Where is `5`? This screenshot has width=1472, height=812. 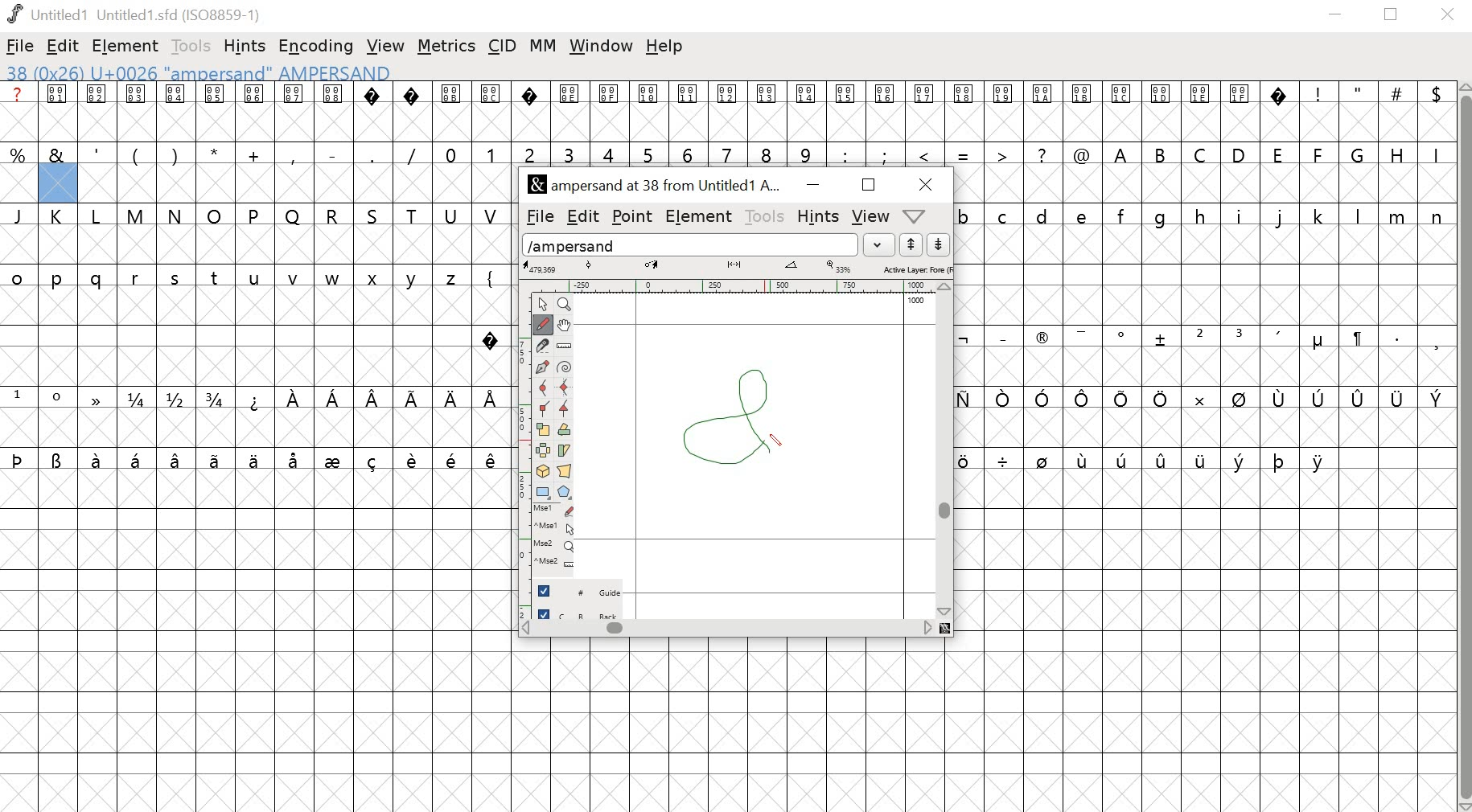
5 is located at coordinates (648, 154).